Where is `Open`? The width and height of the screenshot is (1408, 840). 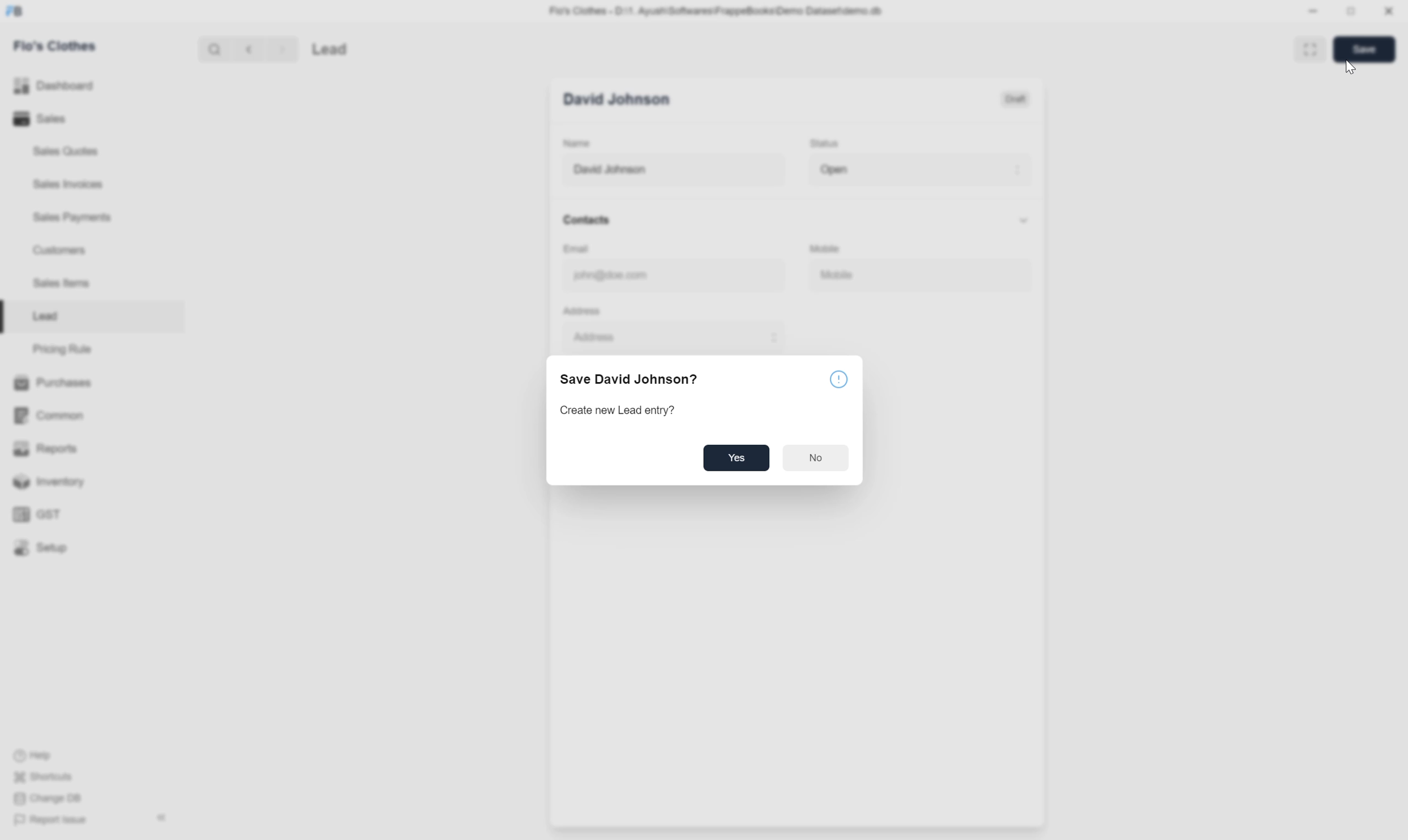
Open is located at coordinates (918, 169).